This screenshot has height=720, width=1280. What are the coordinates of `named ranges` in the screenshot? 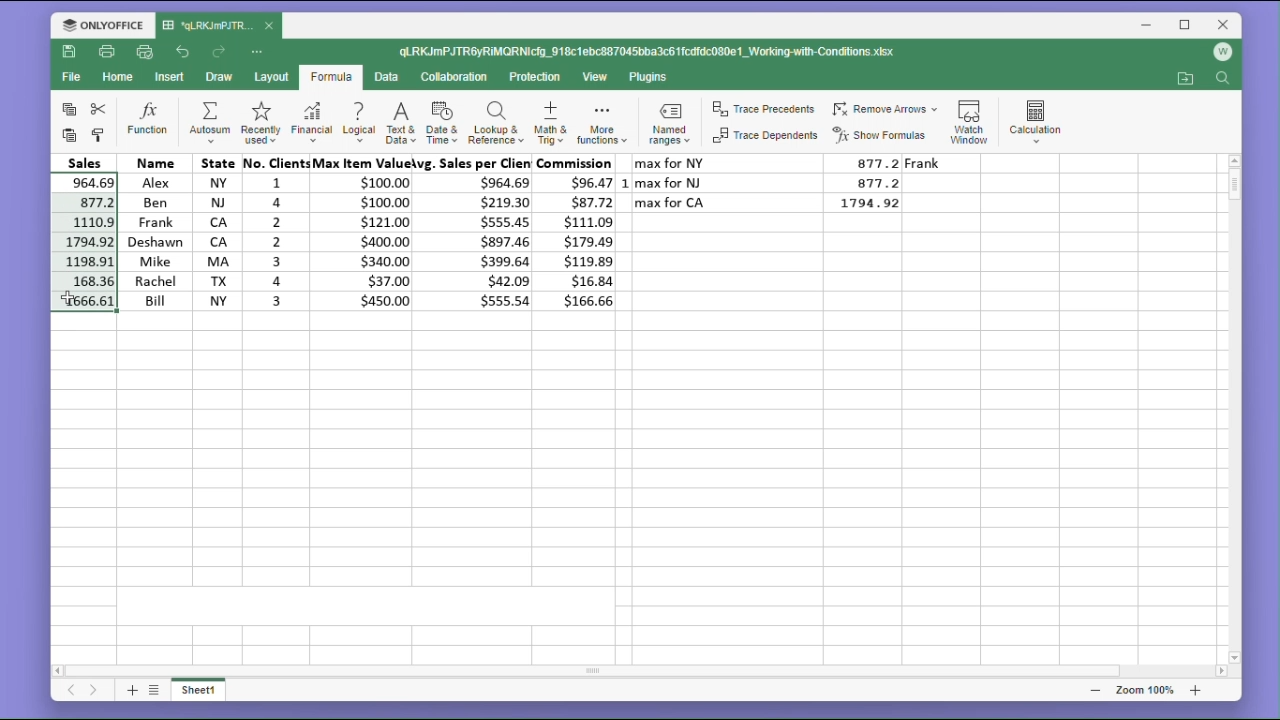 It's located at (667, 126).